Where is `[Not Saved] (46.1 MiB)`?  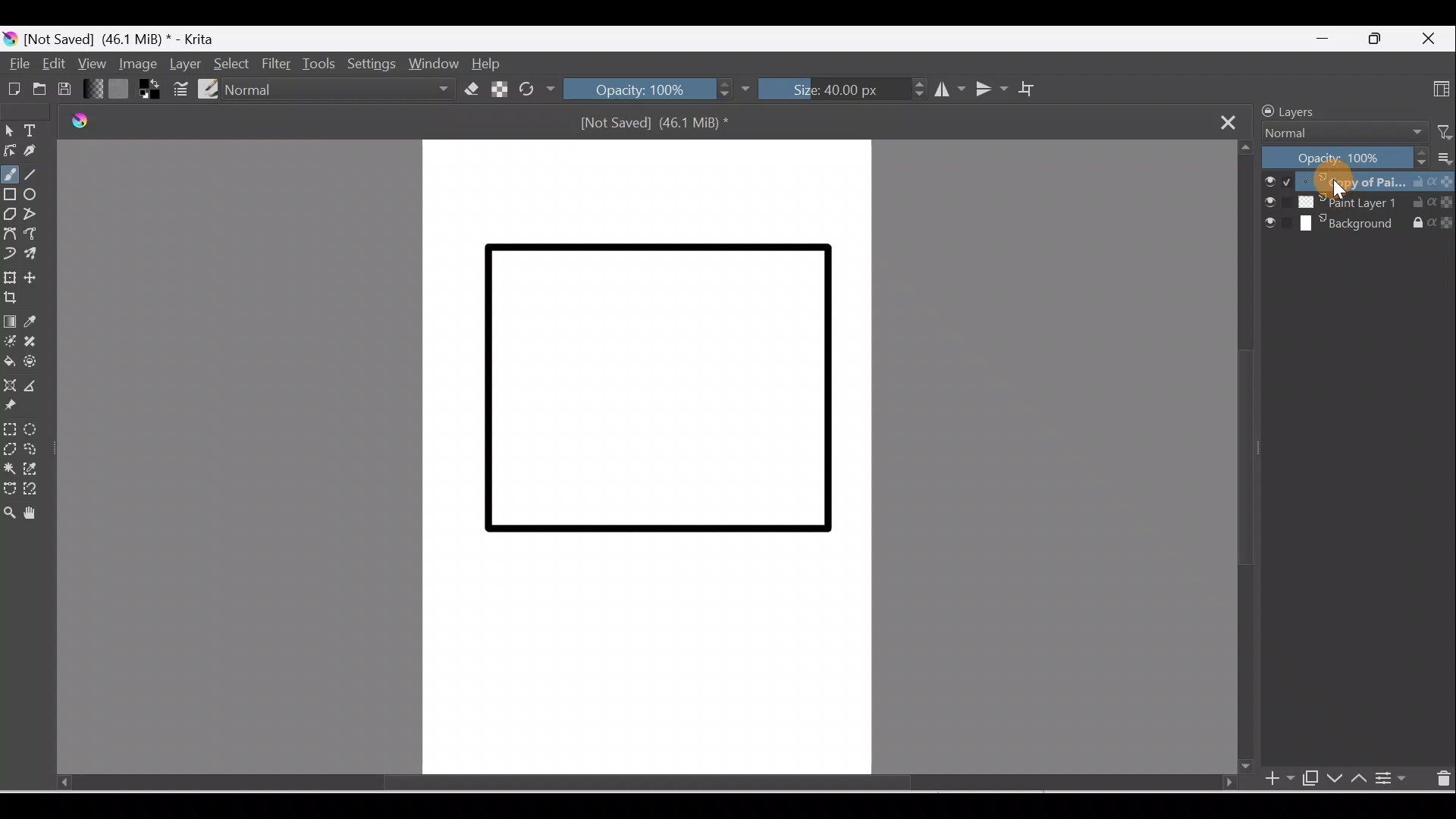 [Not Saved] (46.1 MiB) is located at coordinates (660, 127).